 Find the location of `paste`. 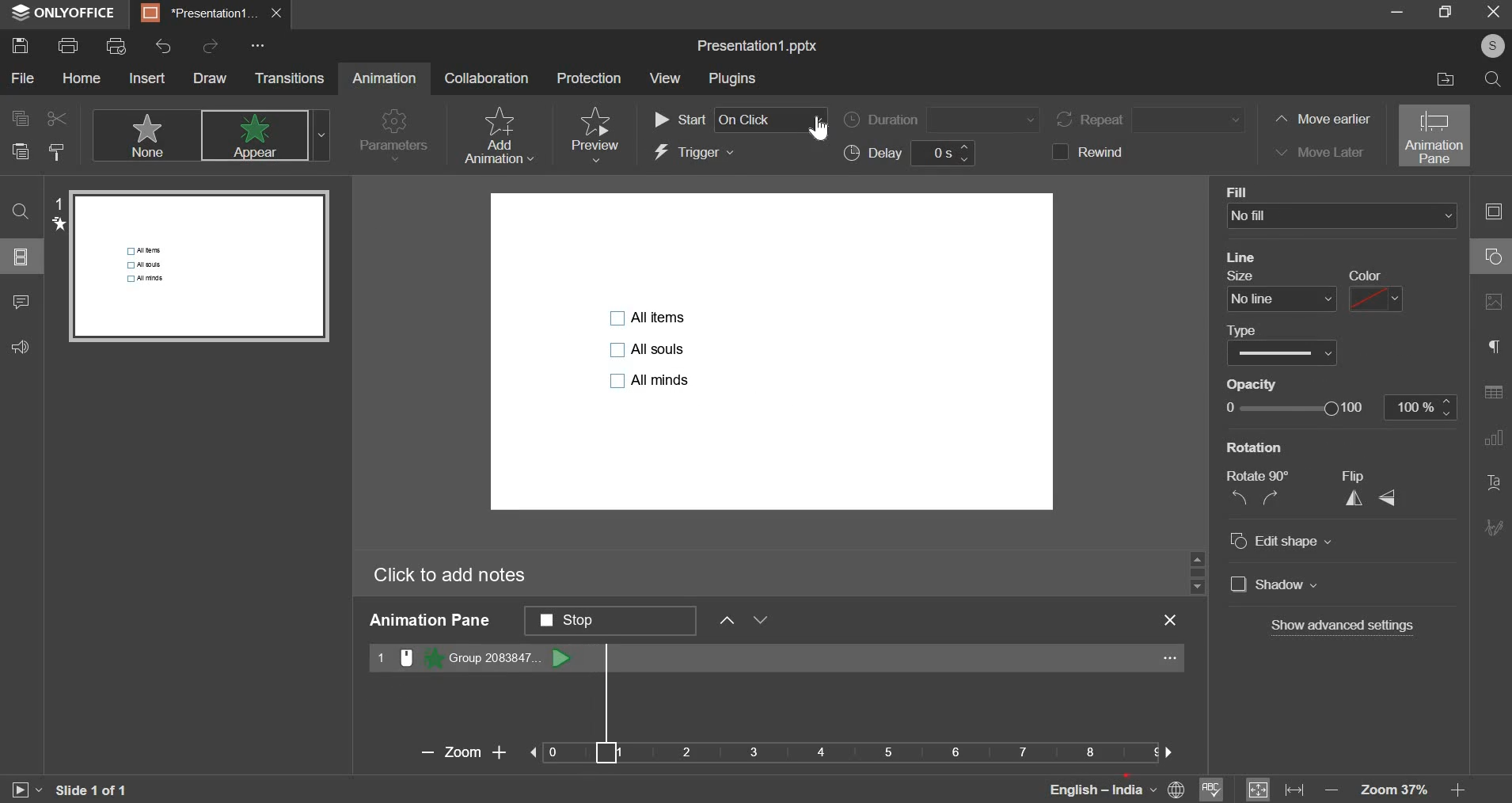

paste is located at coordinates (20, 153).